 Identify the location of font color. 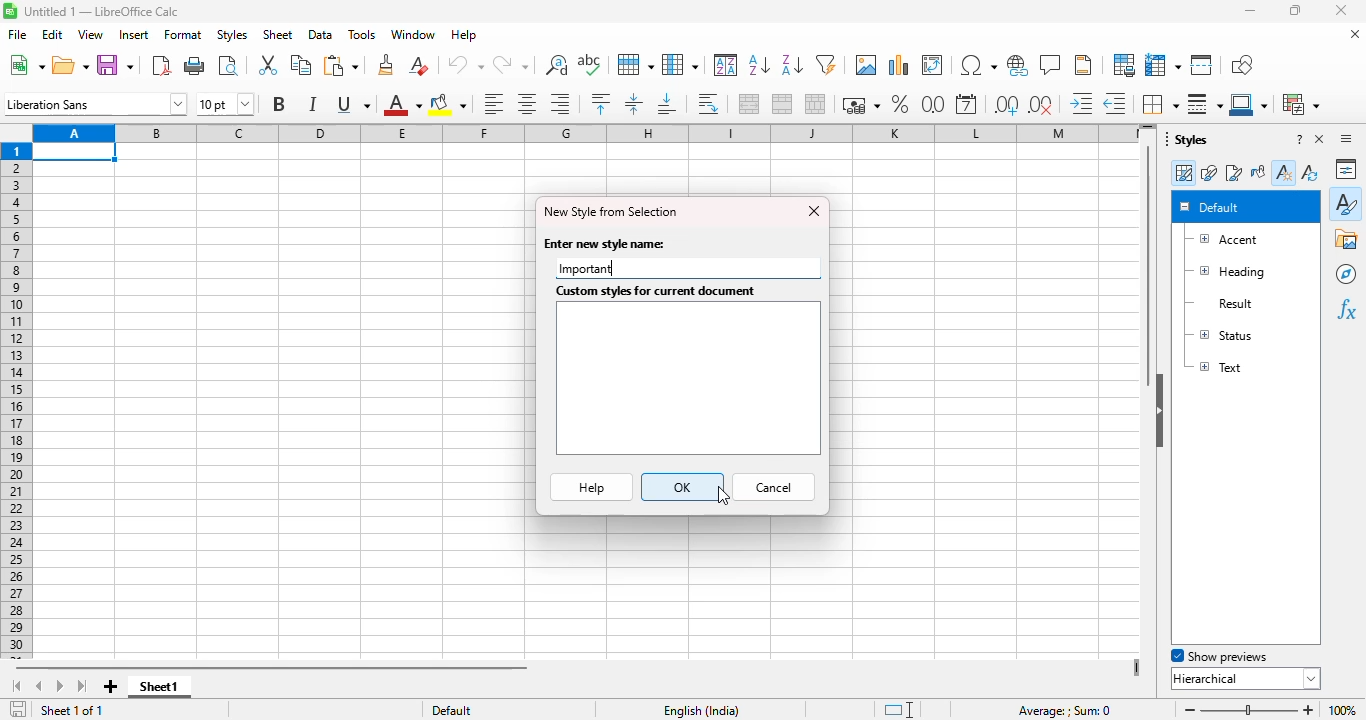
(403, 104).